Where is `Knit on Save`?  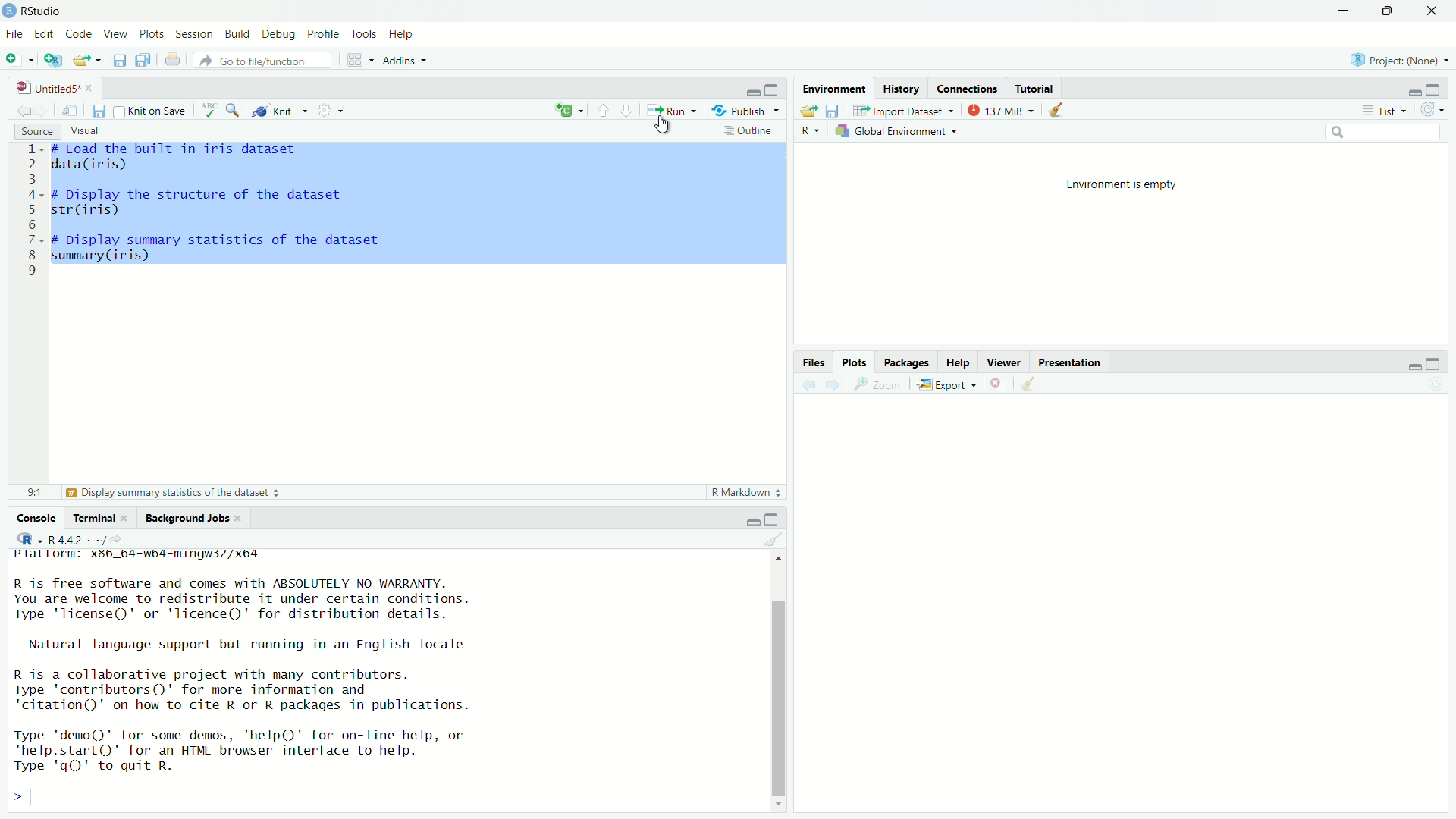 Knit on Save is located at coordinates (150, 111).